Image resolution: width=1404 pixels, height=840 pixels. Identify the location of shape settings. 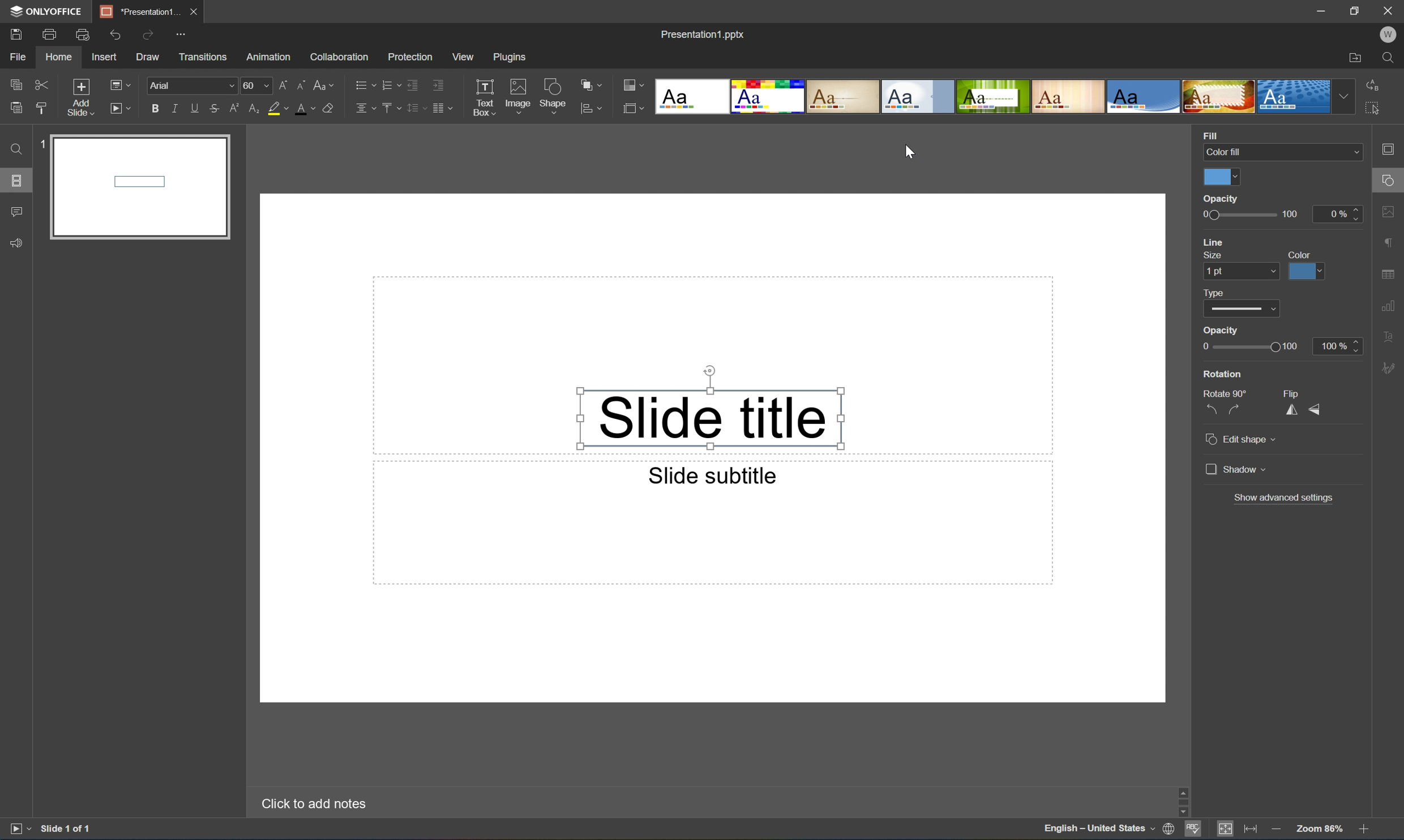
(1389, 177).